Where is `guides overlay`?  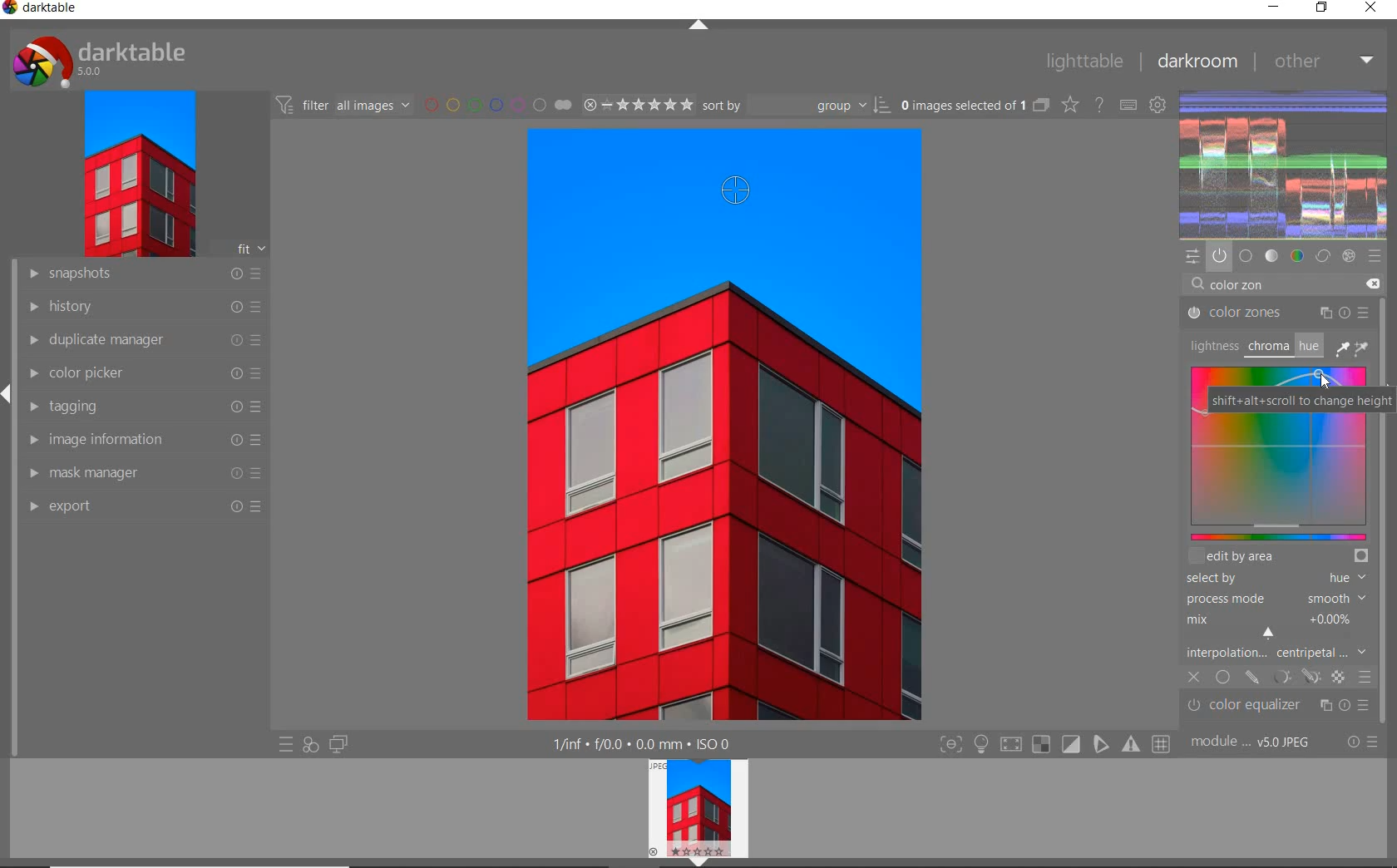
guides overlay is located at coordinates (1100, 745).